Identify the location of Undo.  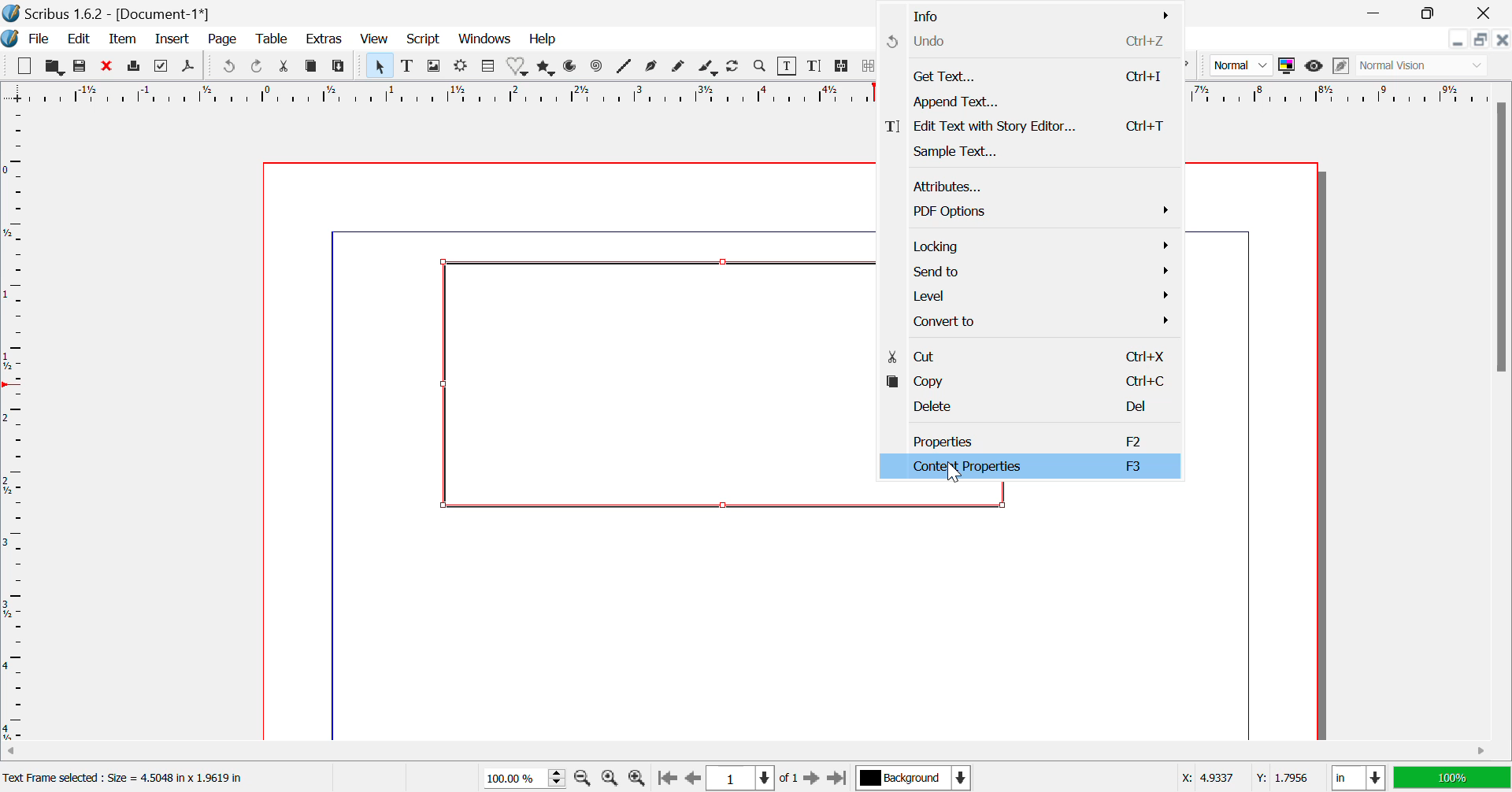
(228, 68).